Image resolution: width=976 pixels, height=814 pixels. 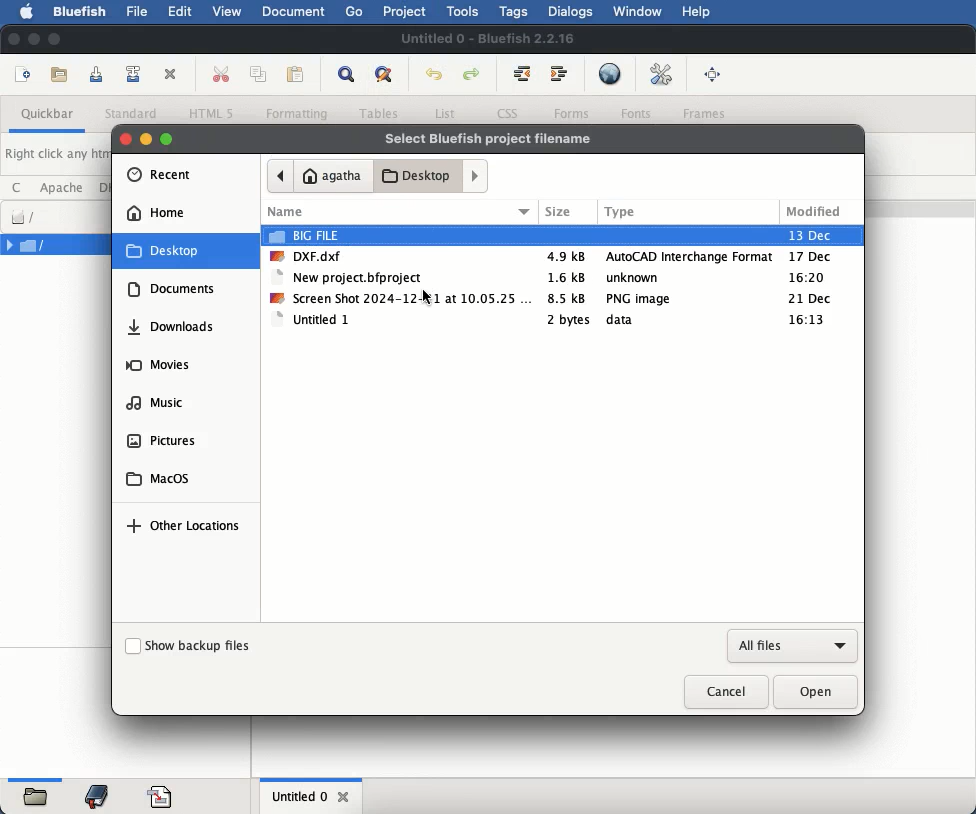 I want to click on size, so click(x=567, y=212).